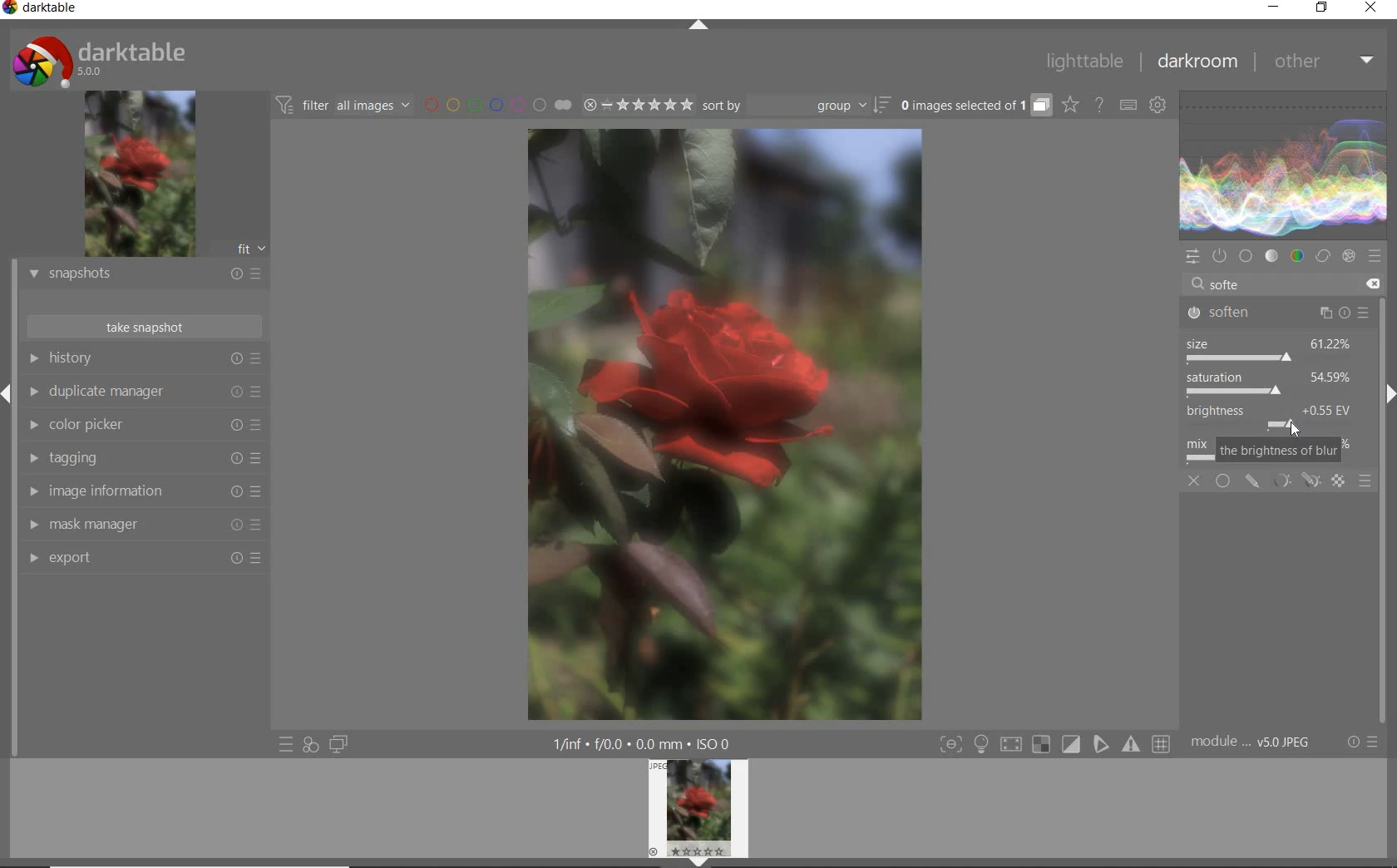 The width and height of the screenshot is (1397, 868). I want to click on scrollbar, so click(1382, 452).